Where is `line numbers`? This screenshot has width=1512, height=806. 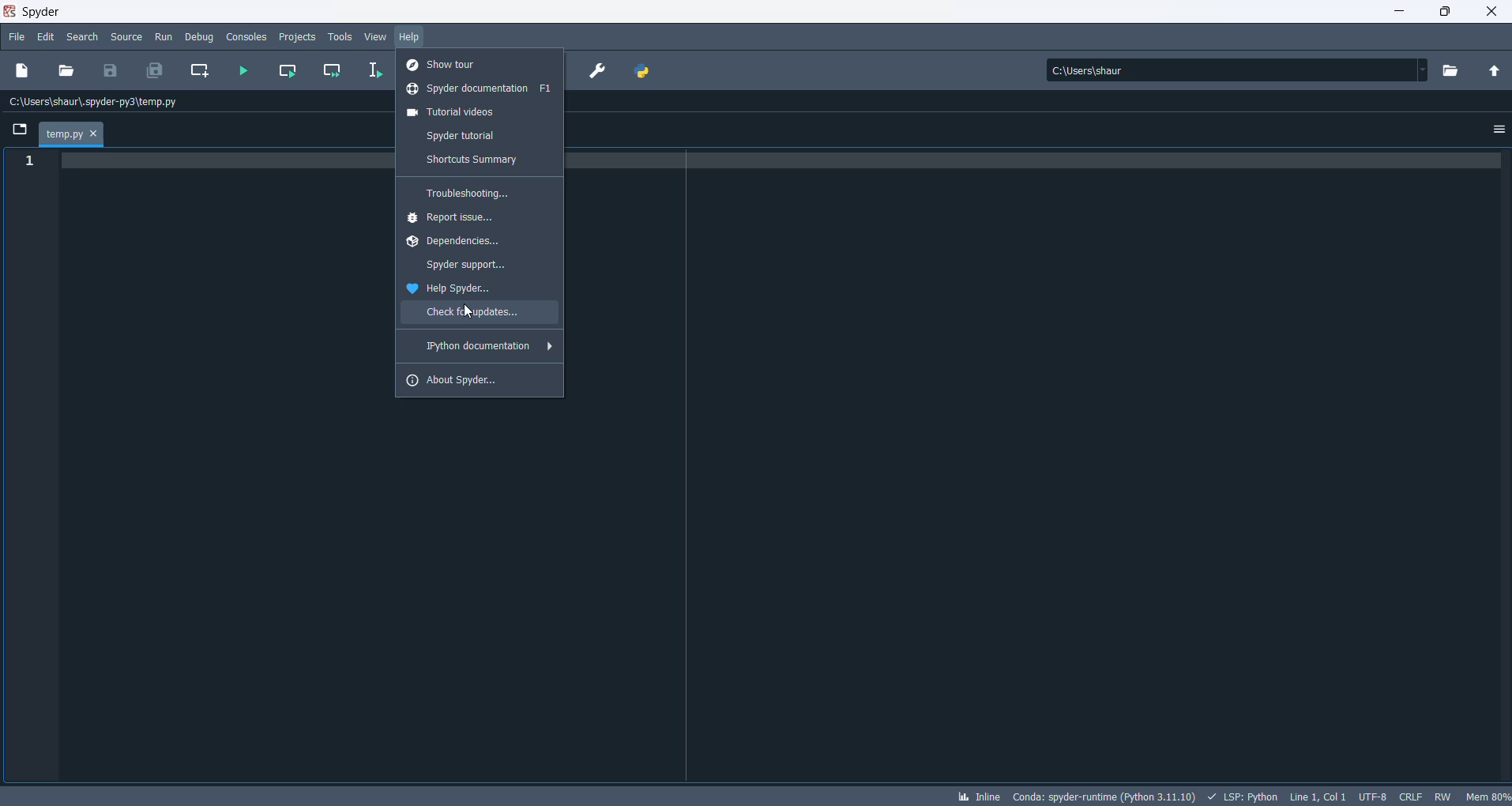 line numbers is located at coordinates (26, 162).